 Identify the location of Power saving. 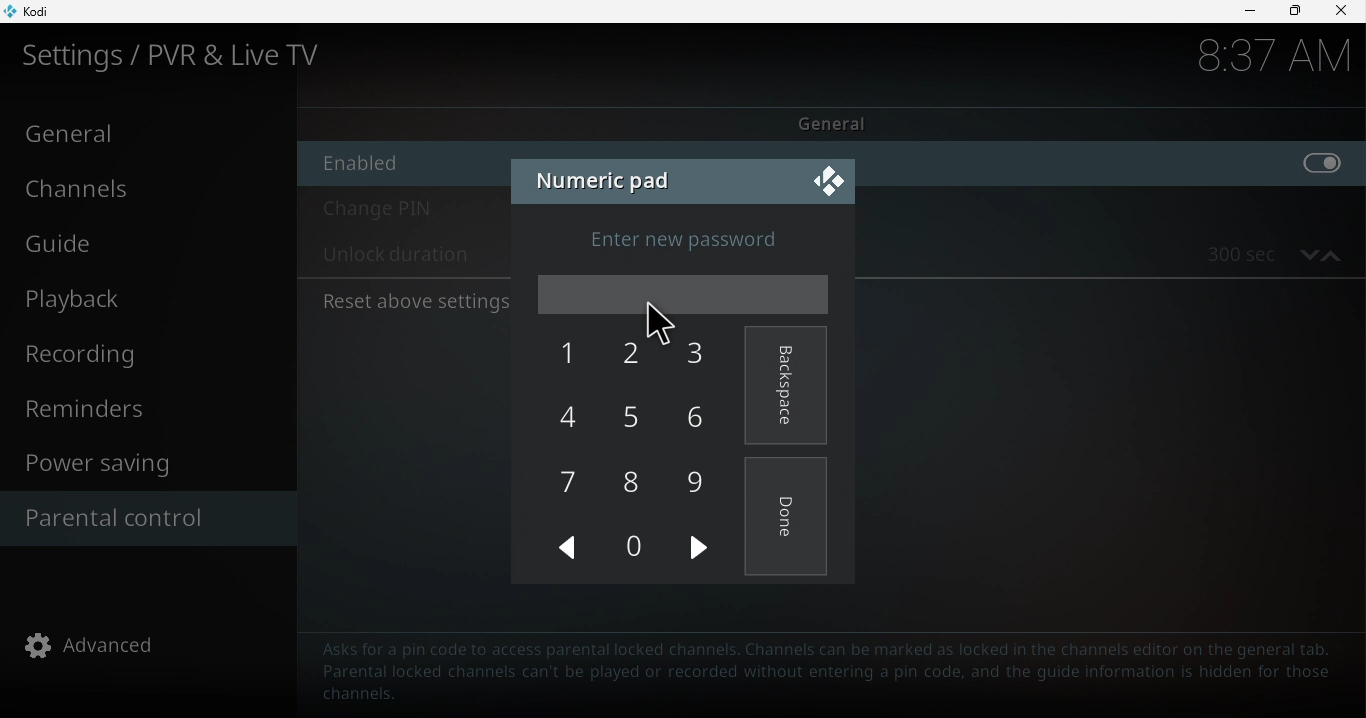
(149, 464).